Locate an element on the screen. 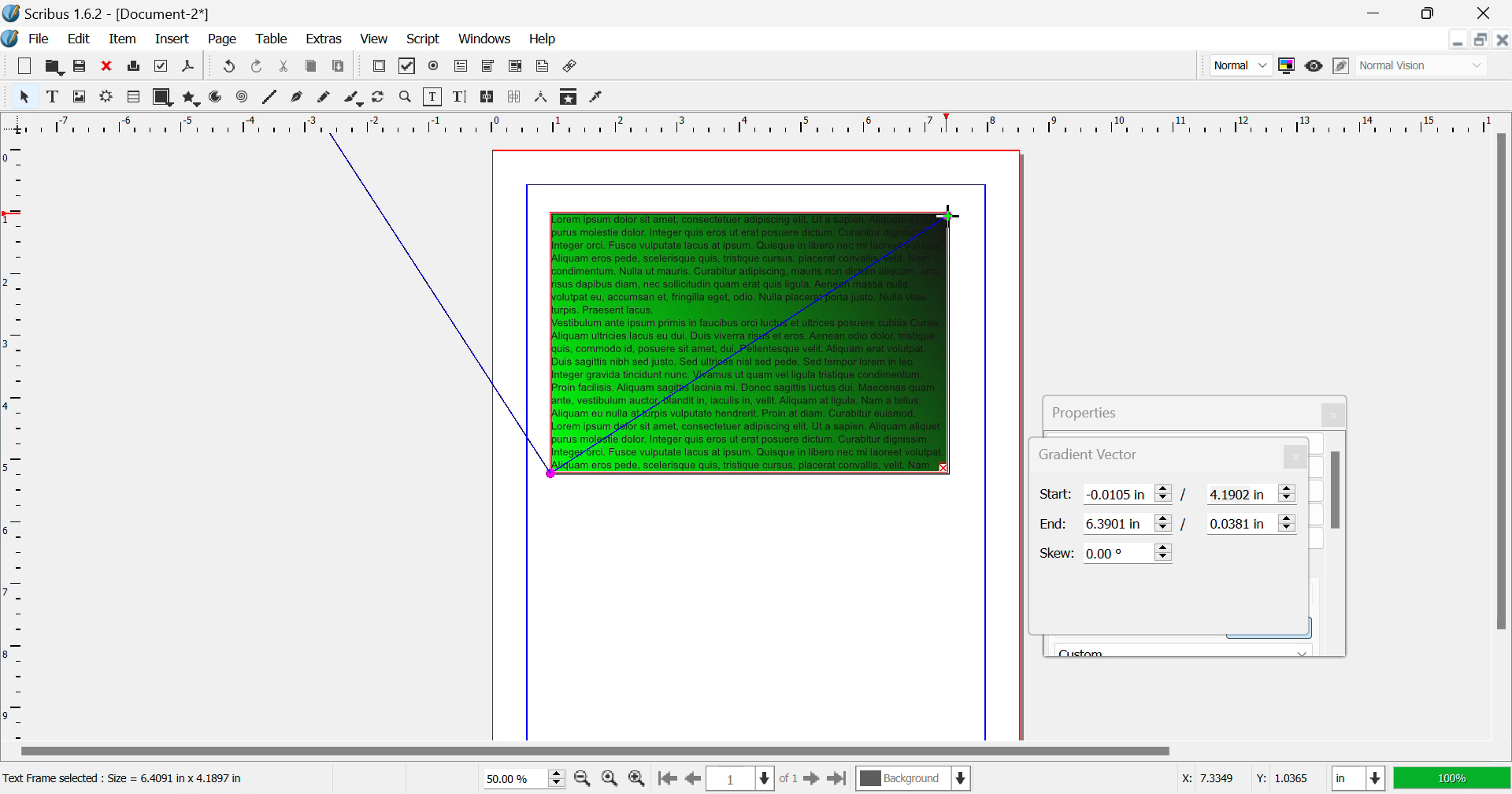  Close is located at coordinates (1336, 415).